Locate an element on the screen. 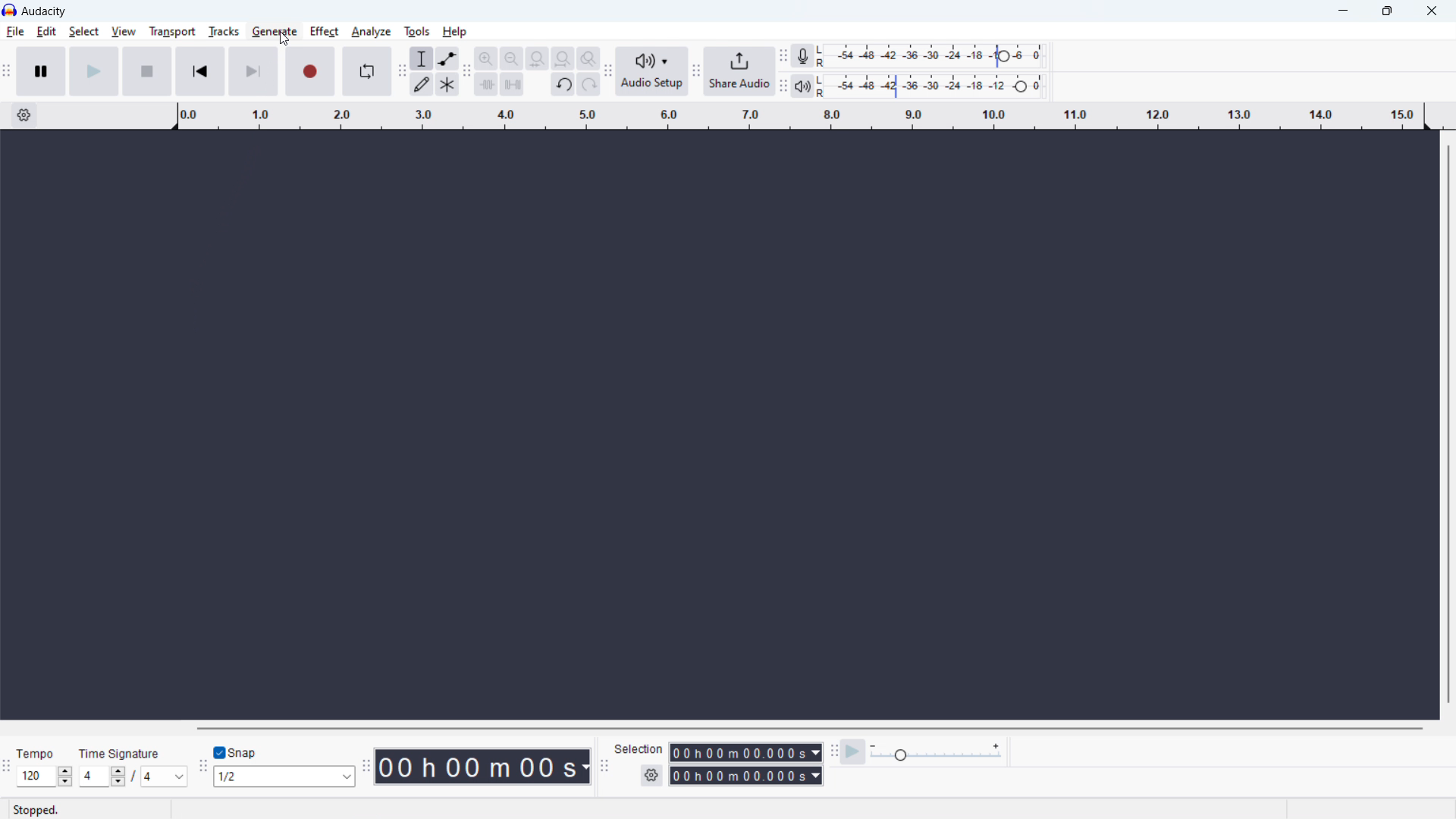 This screenshot has width=1456, height=819. share audio toolbar is located at coordinates (697, 71).